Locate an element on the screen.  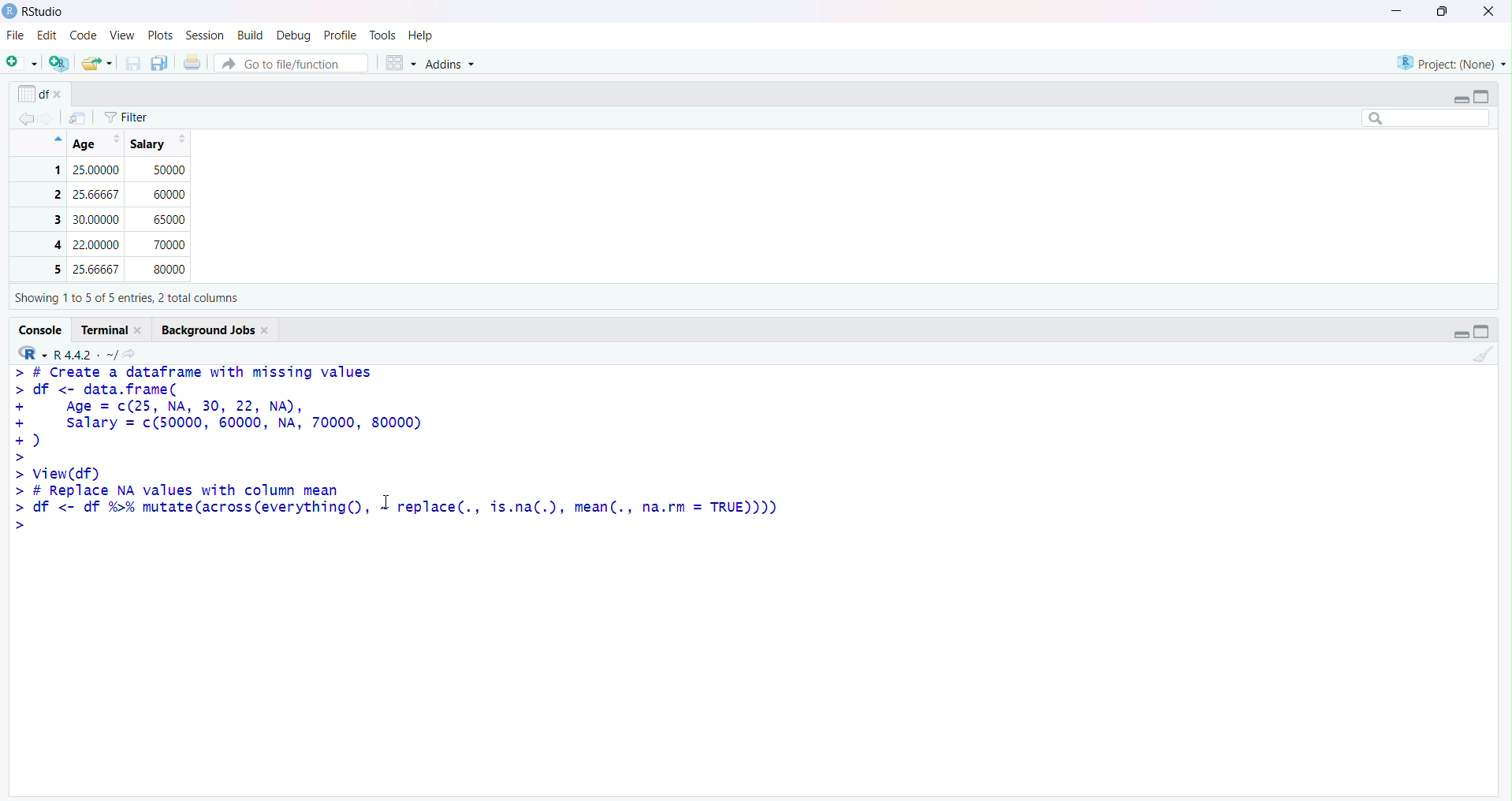
Salary is located at coordinates (155, 141).